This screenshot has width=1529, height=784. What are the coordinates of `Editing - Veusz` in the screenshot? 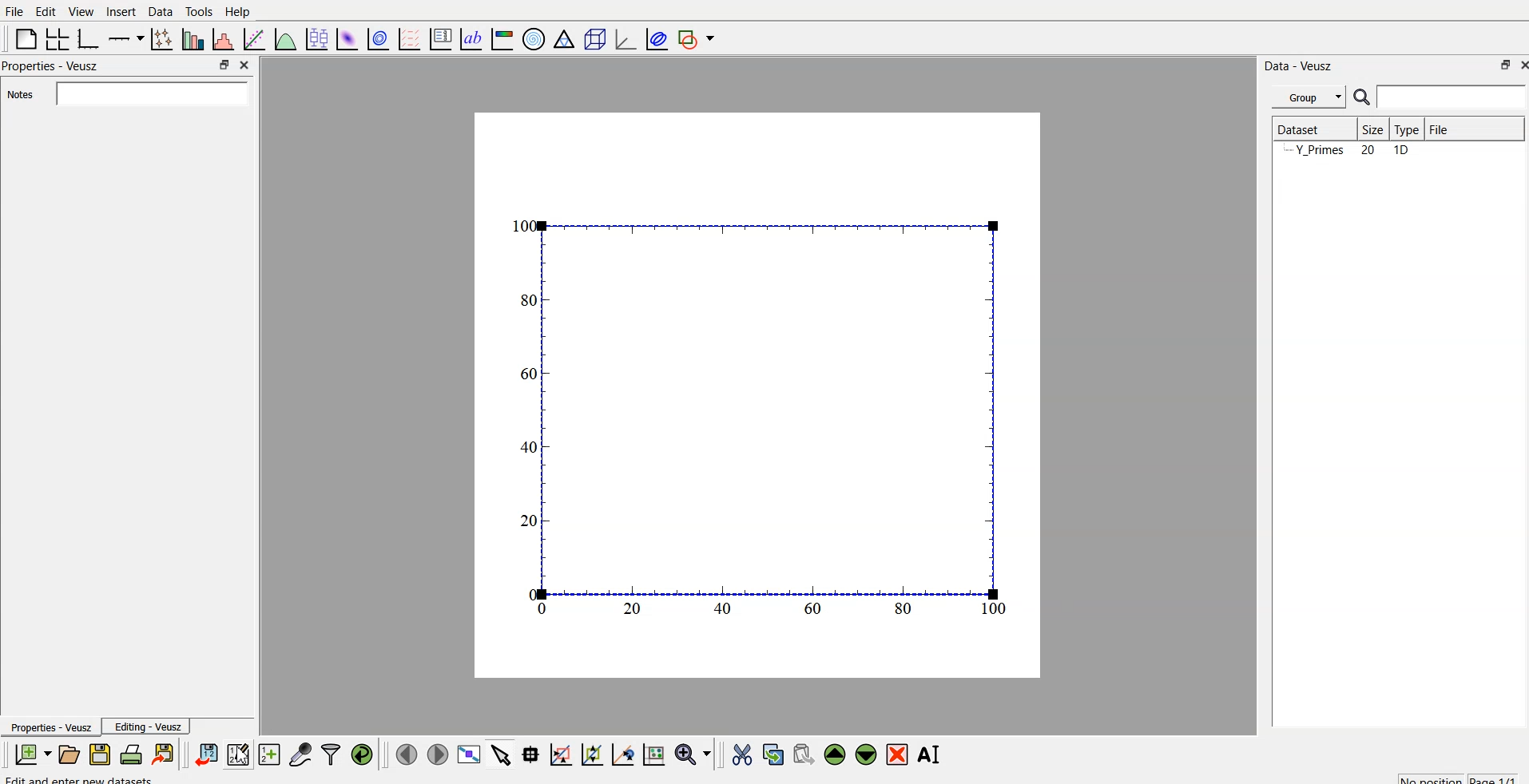 It's located at (150, 727).